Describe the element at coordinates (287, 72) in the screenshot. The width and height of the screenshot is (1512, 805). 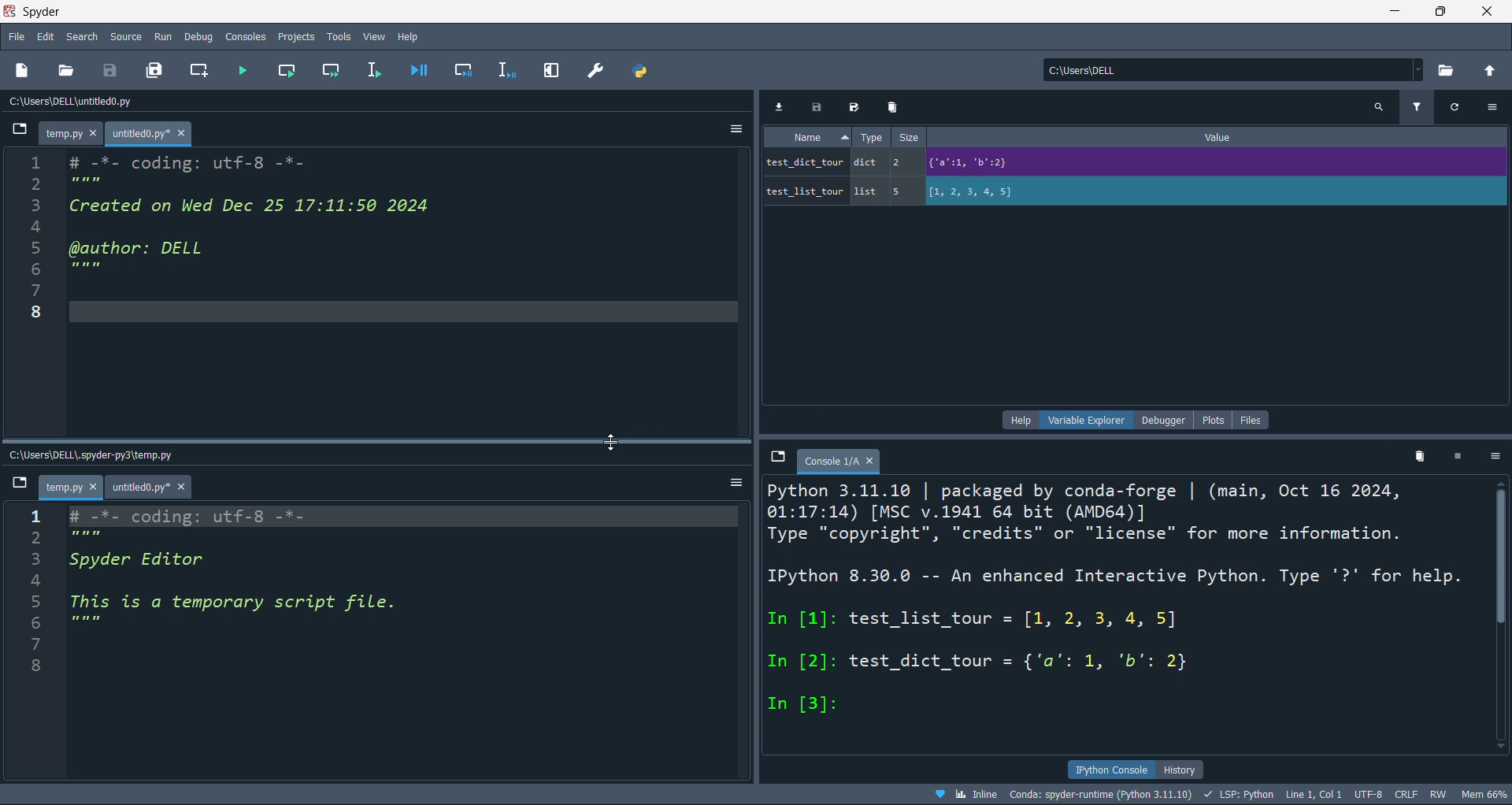
I see `run cell` at that location.